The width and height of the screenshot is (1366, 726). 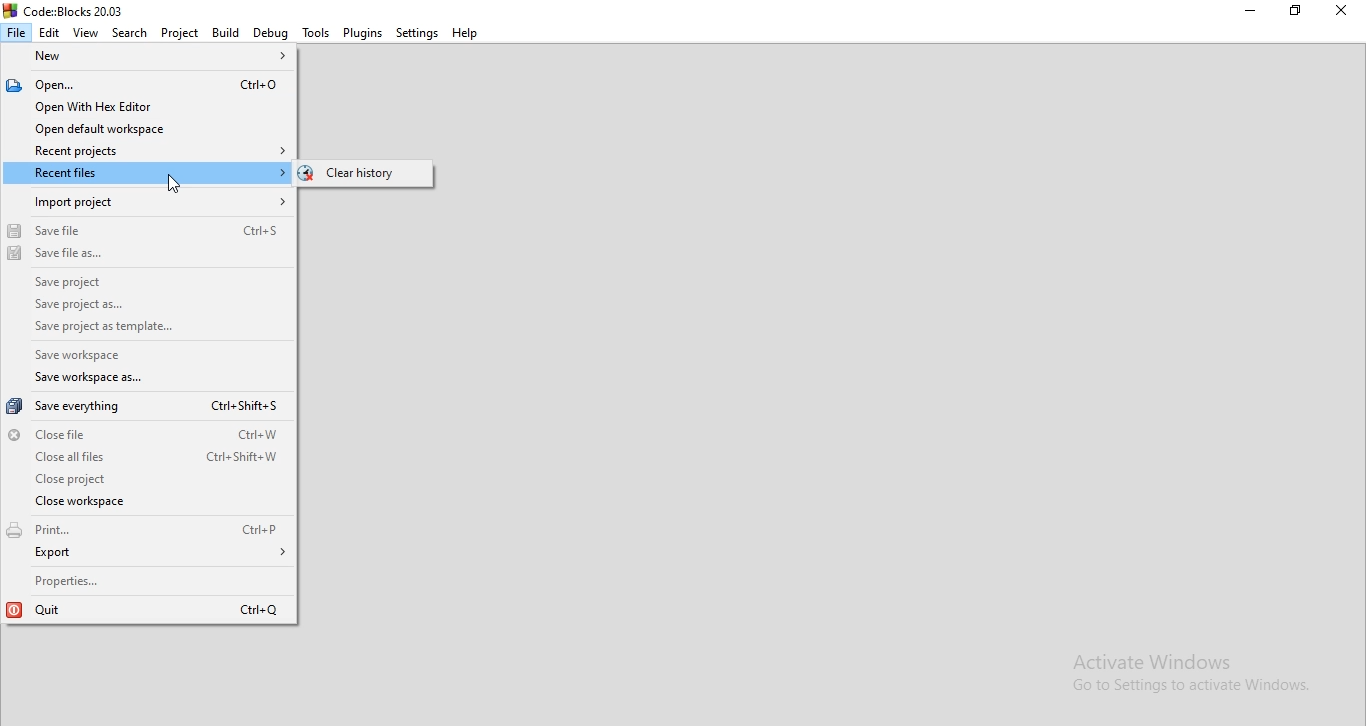 What do you see at coordinates (142, 434) in the screenshot?
I see `Close File` at bounding box center [142, 434].